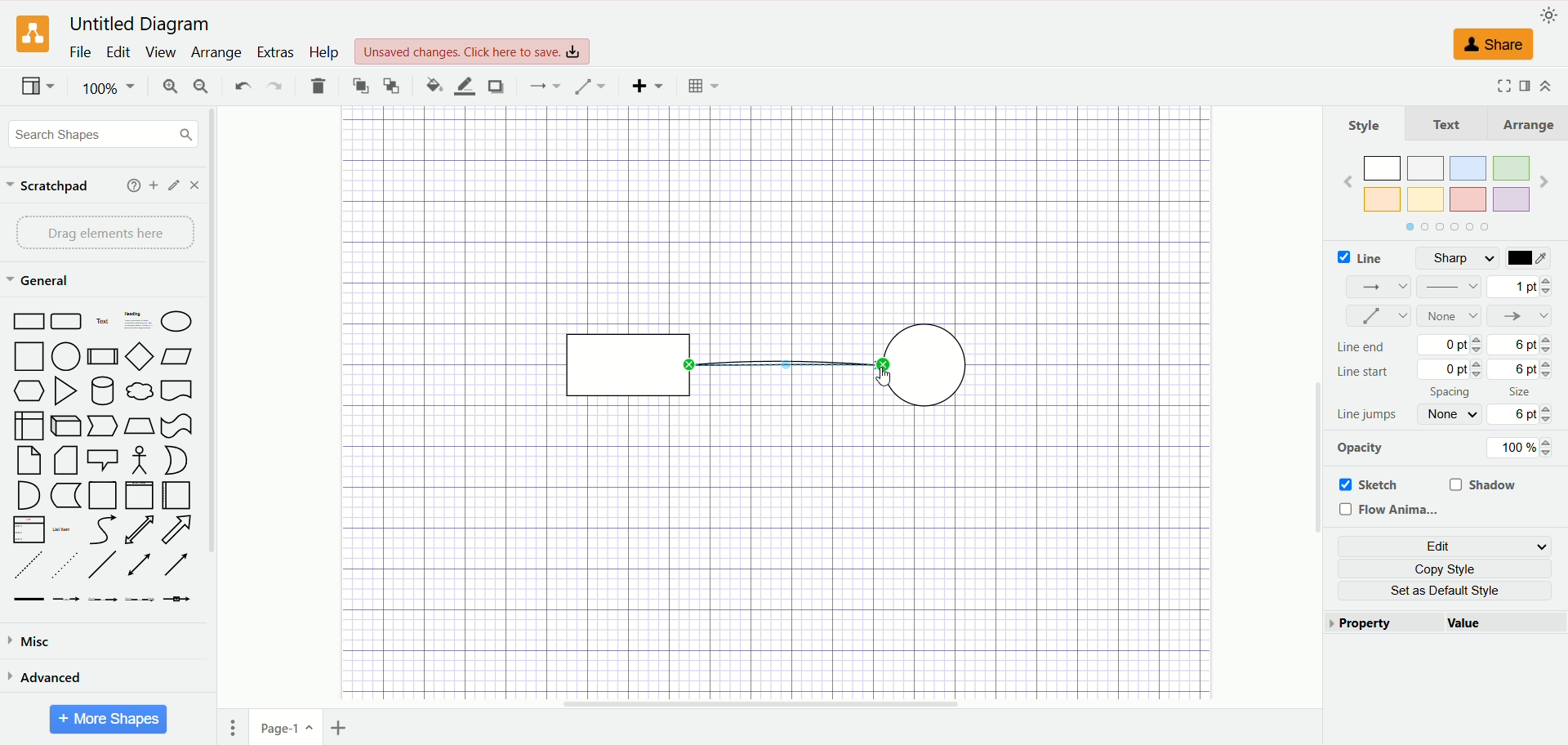  Describe the element at coordinates (103, 356) in the screenshot. I see `Divided Bar` at that location.